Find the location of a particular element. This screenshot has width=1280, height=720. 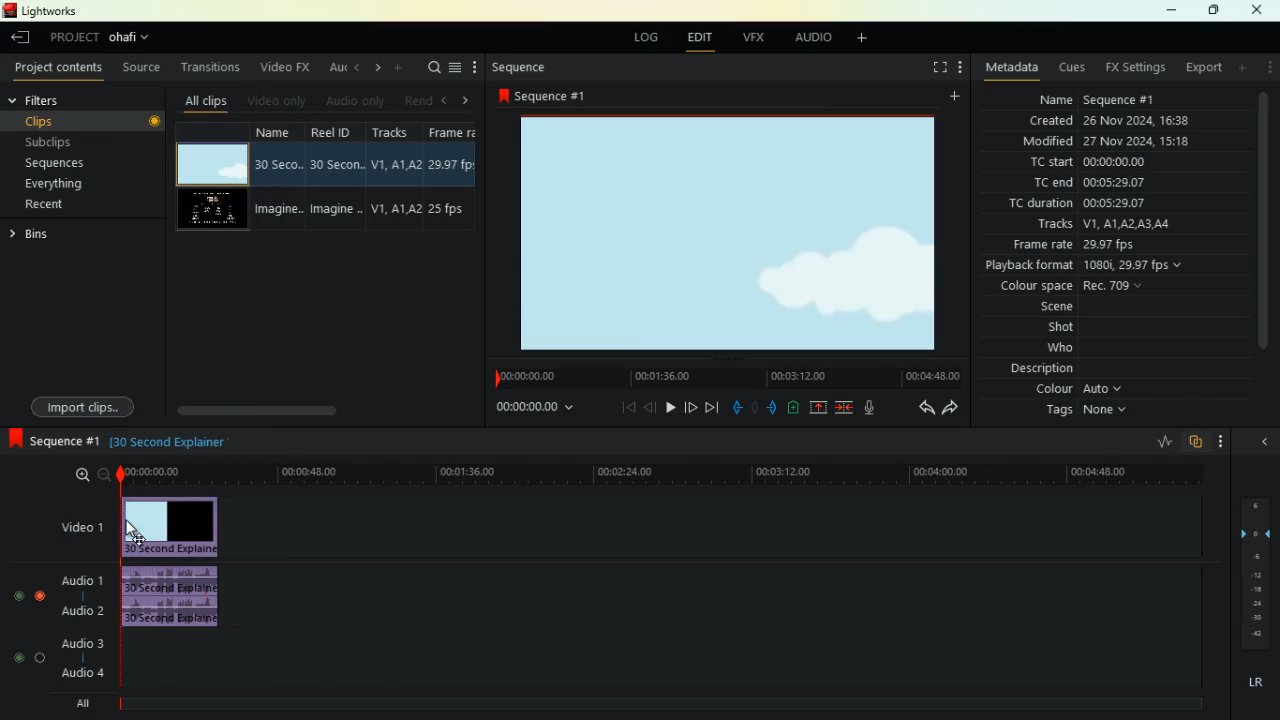

scroll is located at coordinates (292, 404).